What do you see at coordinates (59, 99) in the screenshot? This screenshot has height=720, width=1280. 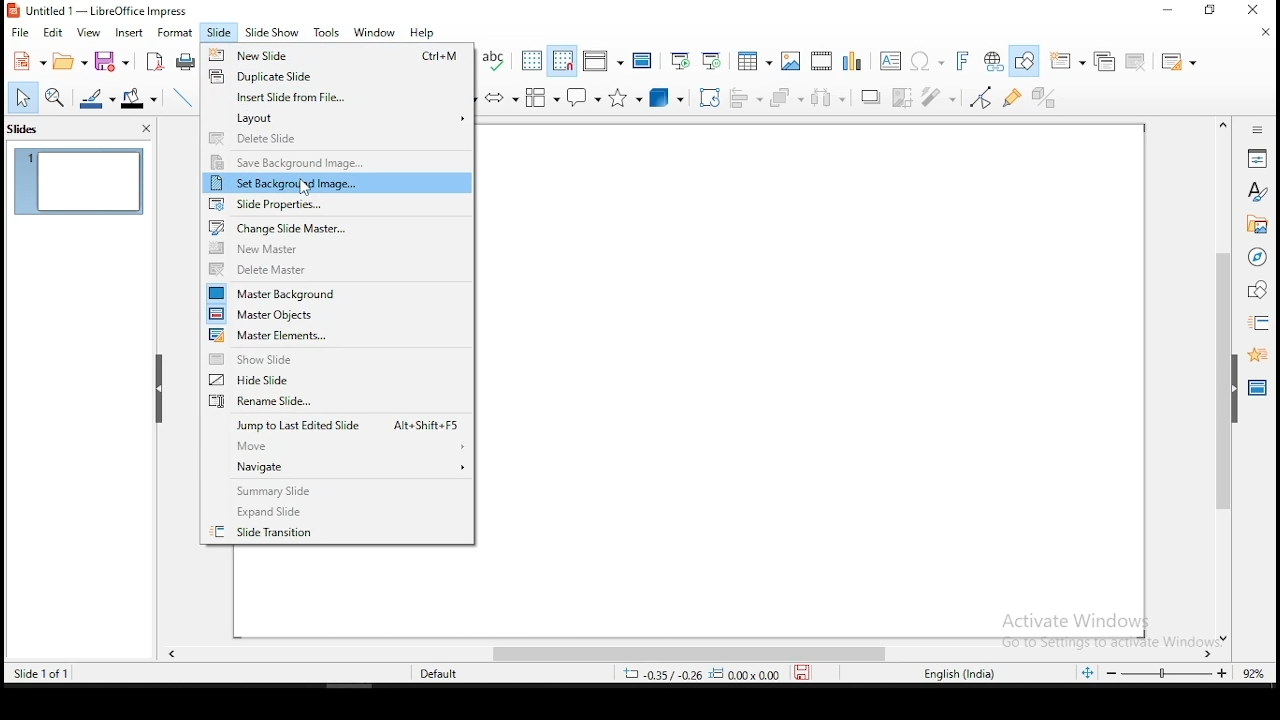 I see `zoom and pan` at bounding box center [59, 99].